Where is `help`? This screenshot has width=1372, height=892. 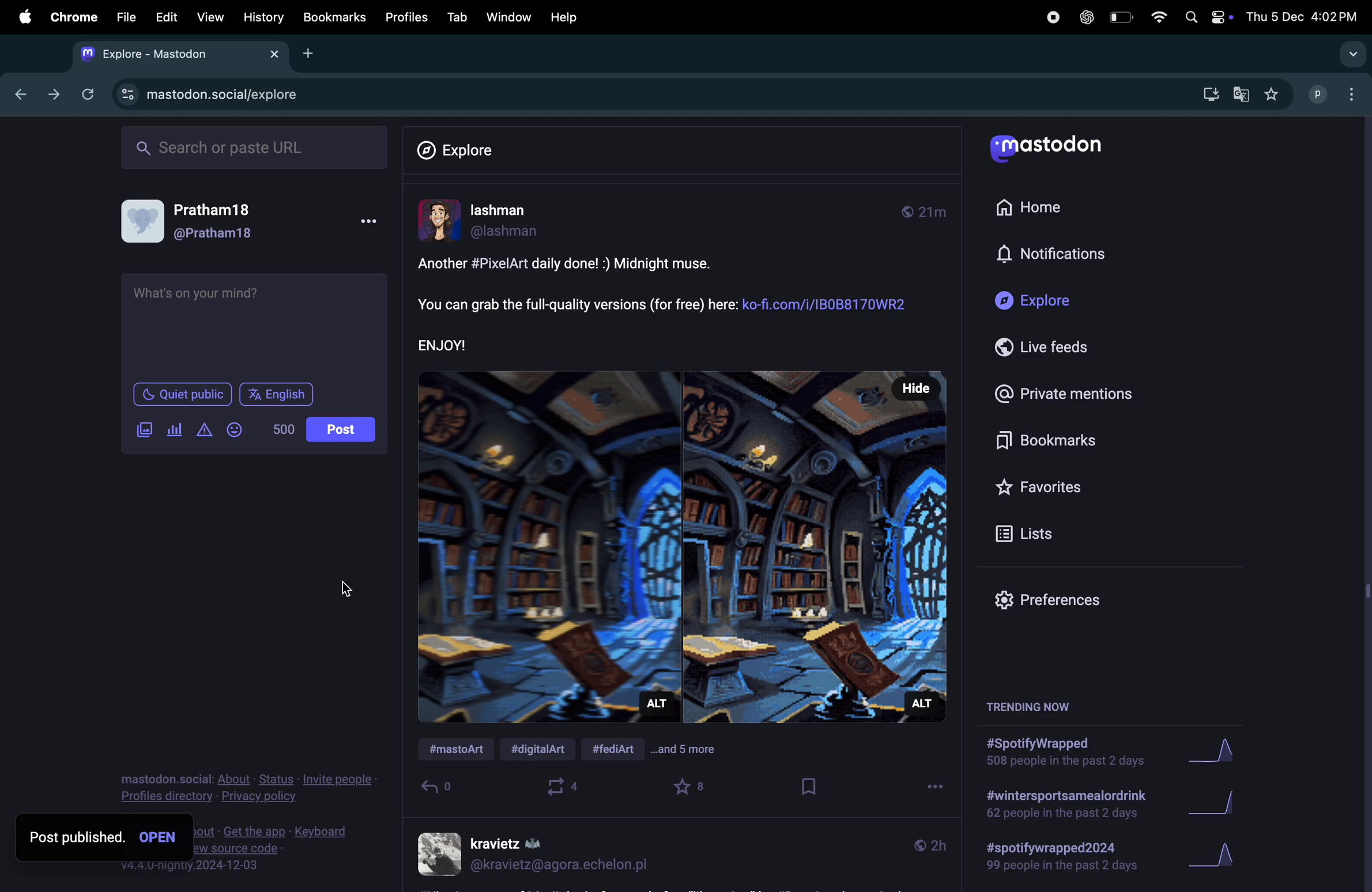
help is located at coordinates (567, 16).